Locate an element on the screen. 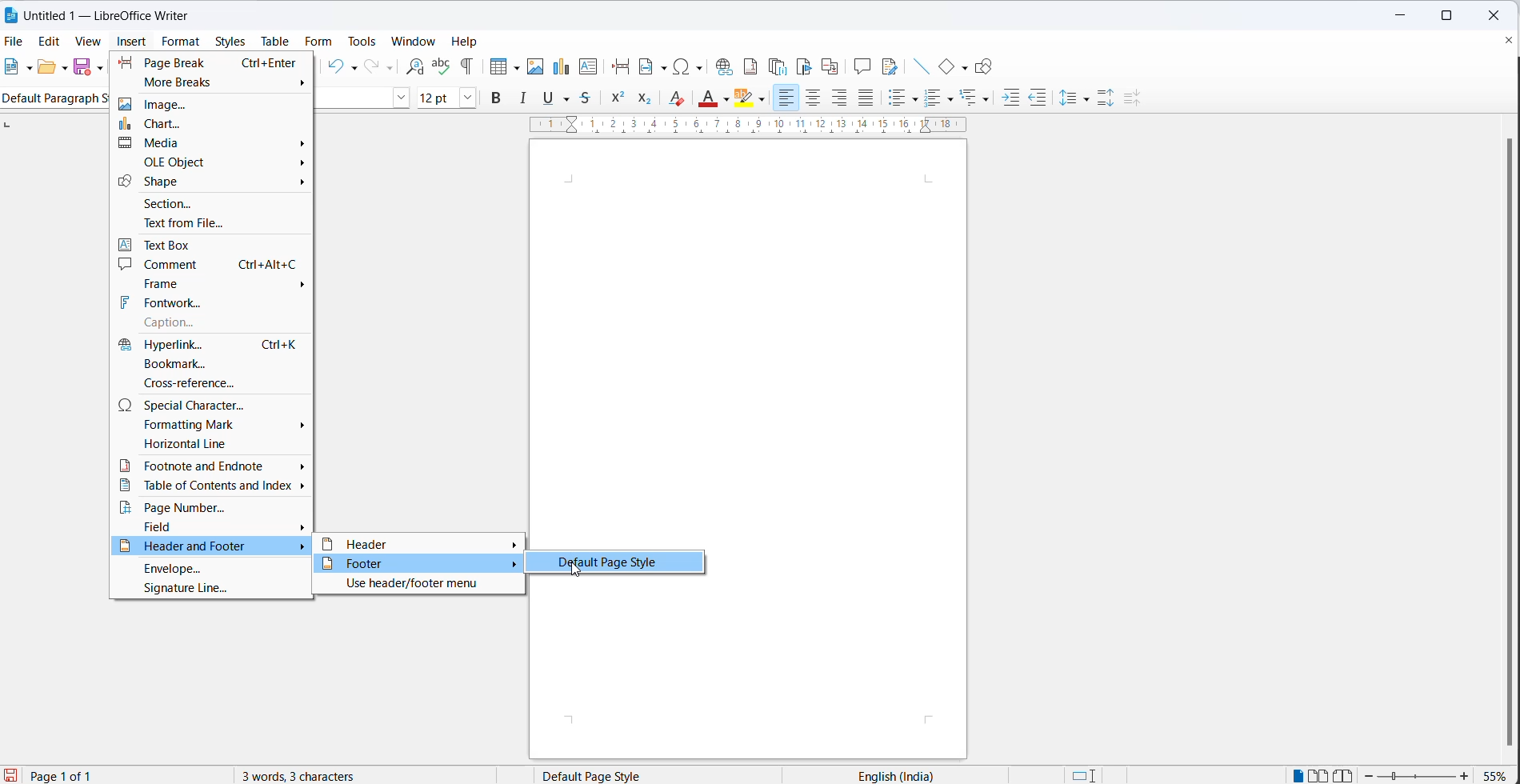 This screenshot has width=1520, height=784. toggle formatting marks is located at coordinates (464, 67).